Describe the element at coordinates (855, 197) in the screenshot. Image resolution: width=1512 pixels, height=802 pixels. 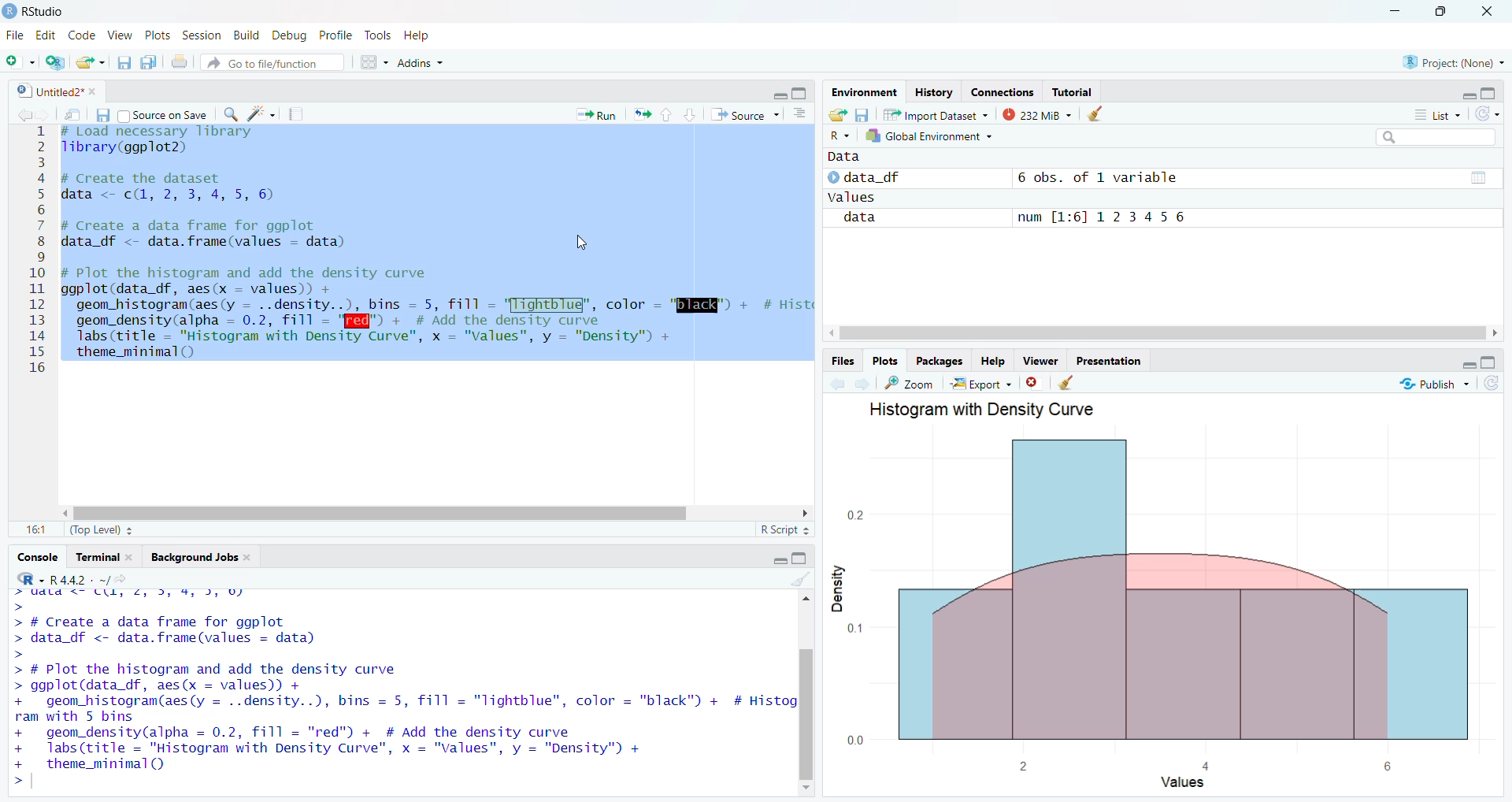
I see `values` at that location.